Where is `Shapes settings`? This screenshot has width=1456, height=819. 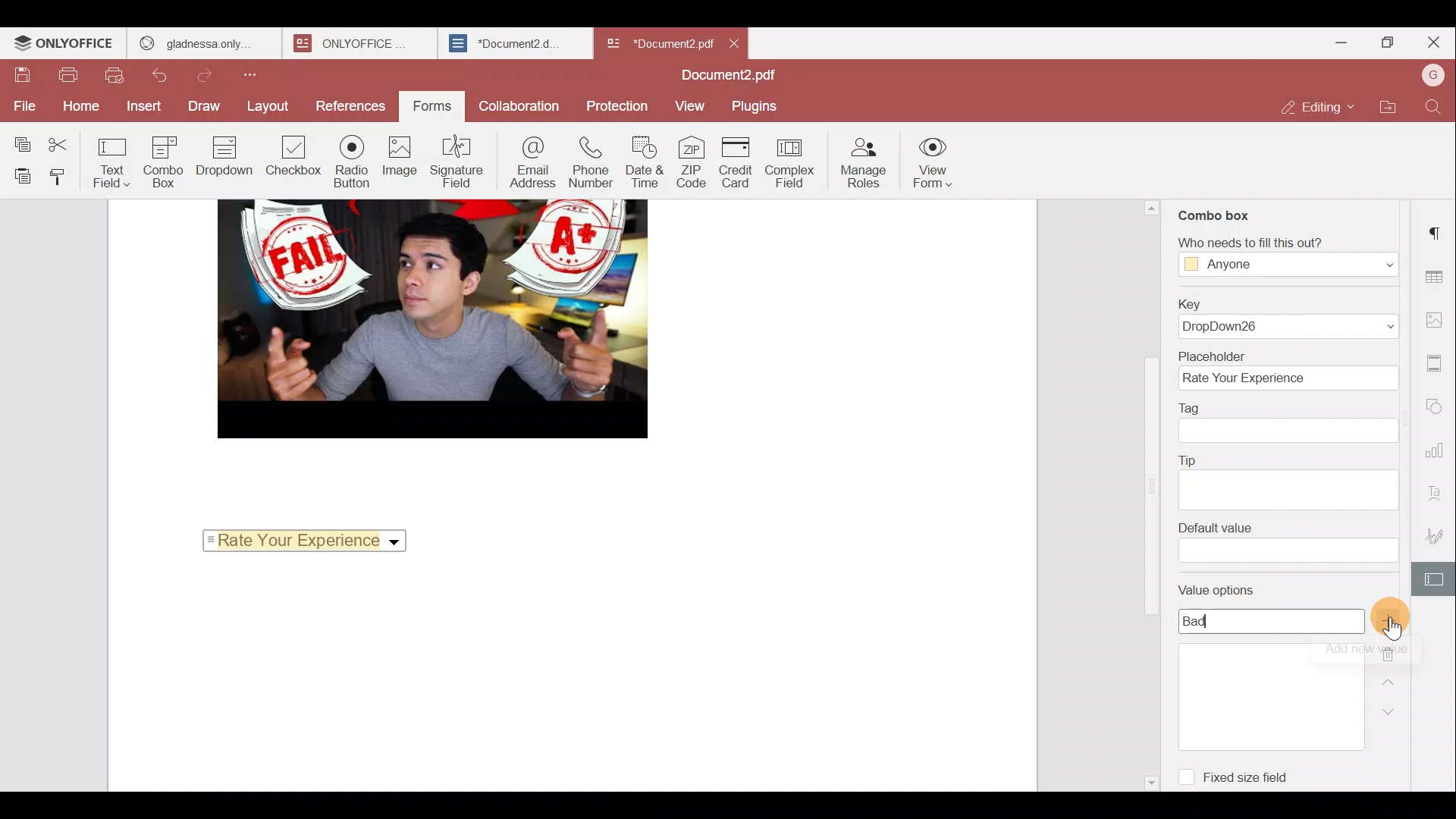
Shapes settings is located at coordinates (1439, 403).